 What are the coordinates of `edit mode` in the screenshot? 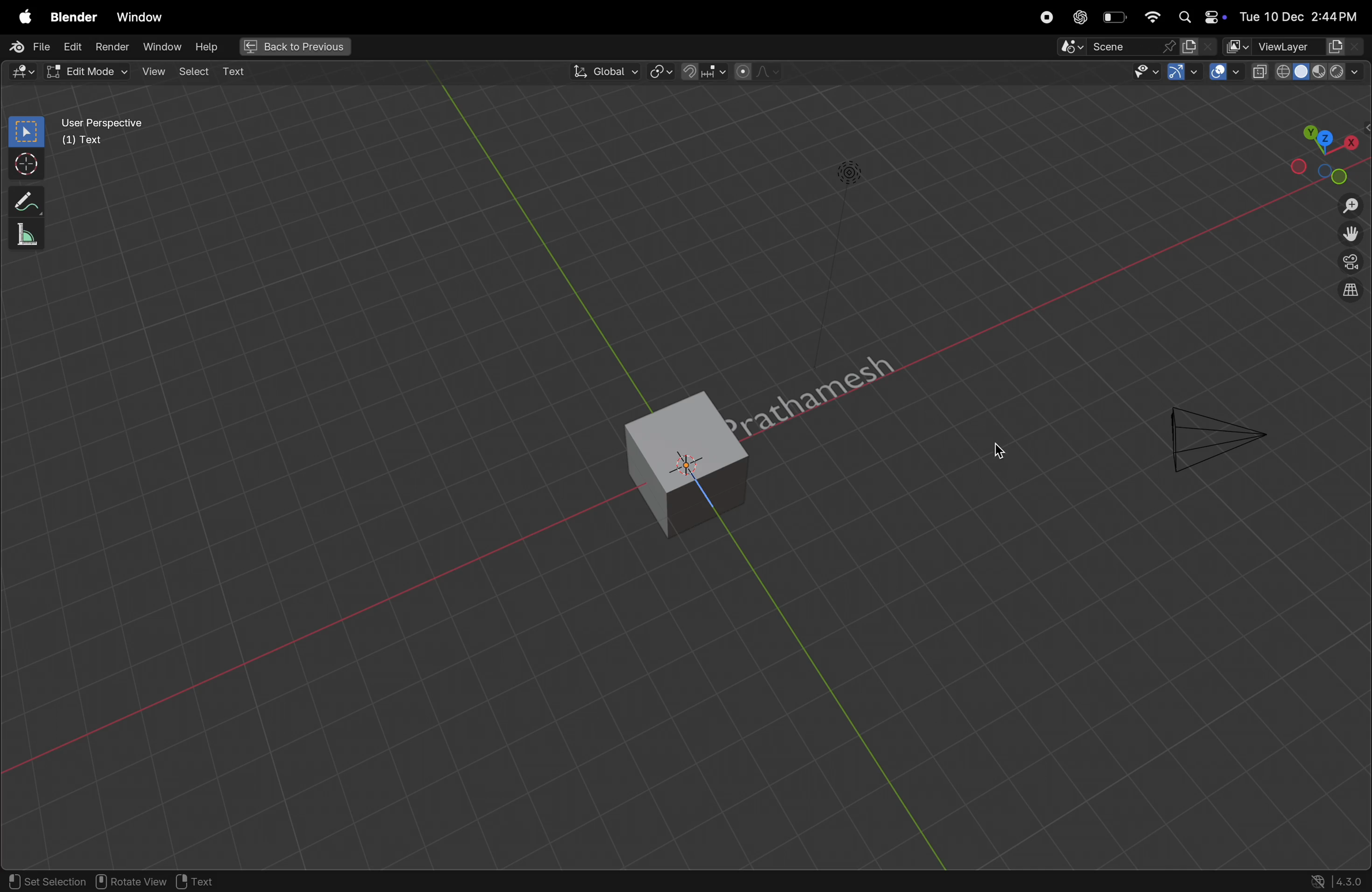 It's located at (24, 71).